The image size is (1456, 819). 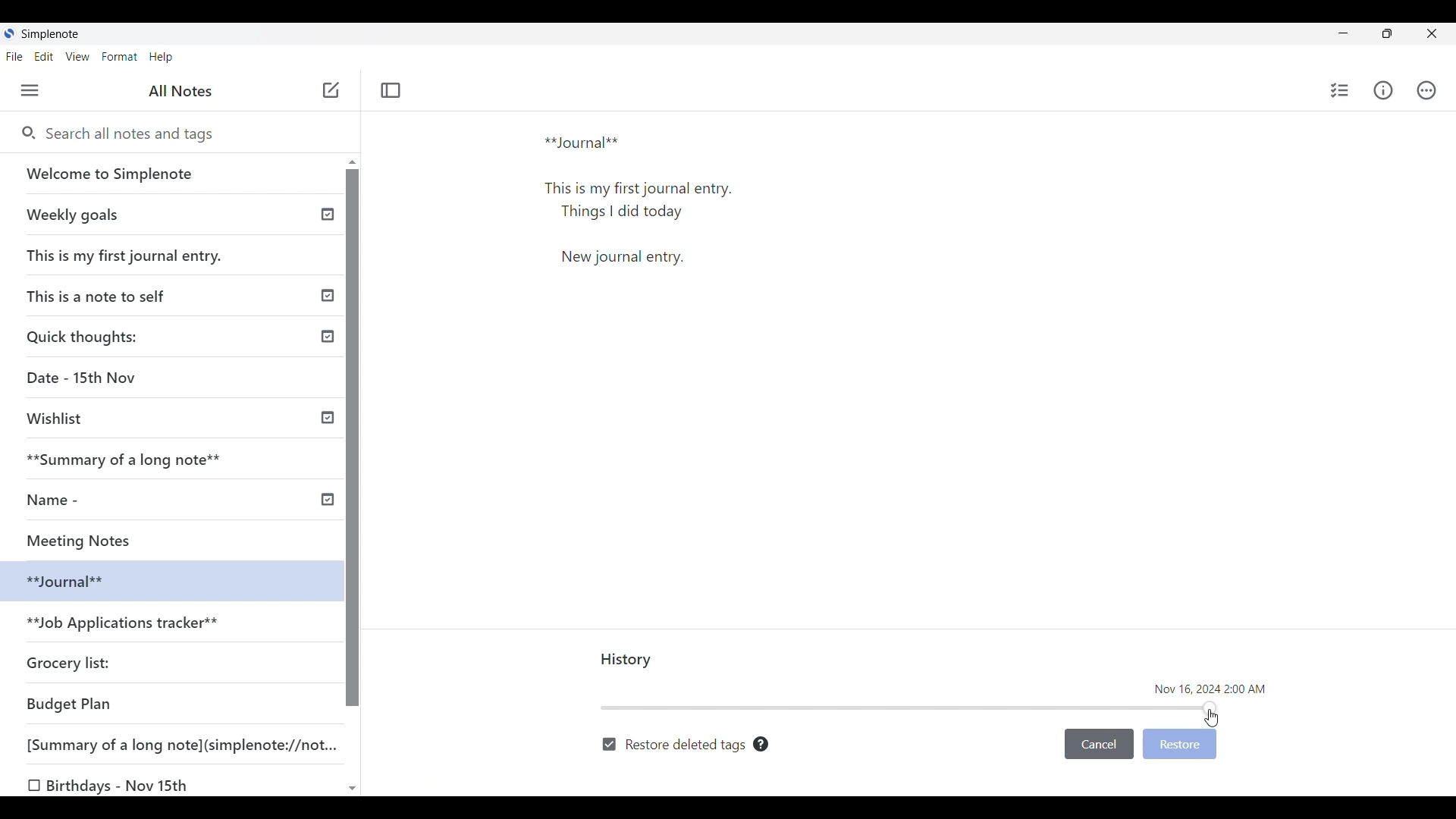 I want to click on O Birthdays - Nov 15th, so click(x=111, y=786).